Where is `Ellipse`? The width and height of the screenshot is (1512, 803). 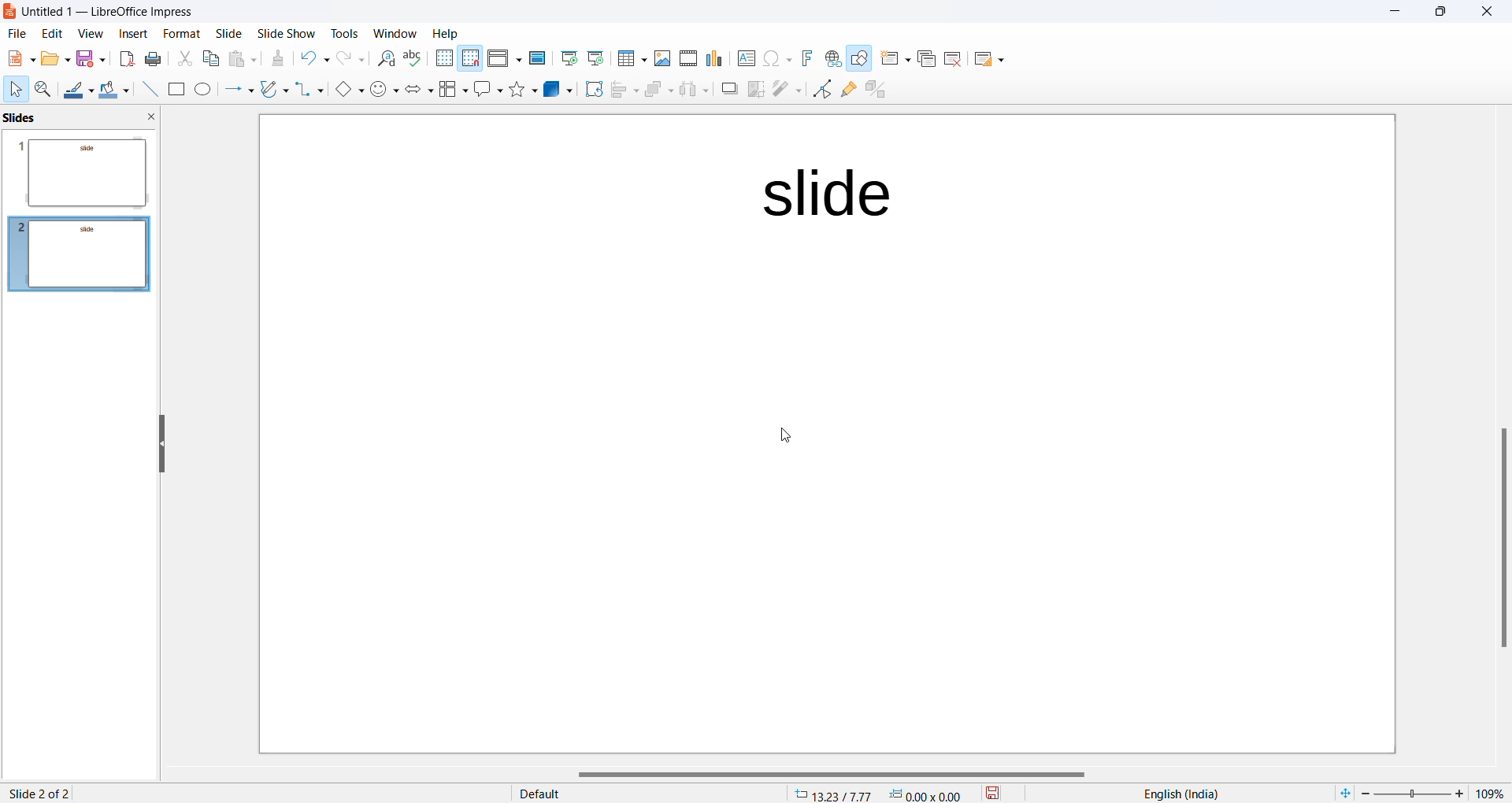
Ellipse is located at coordinates (202, 90).